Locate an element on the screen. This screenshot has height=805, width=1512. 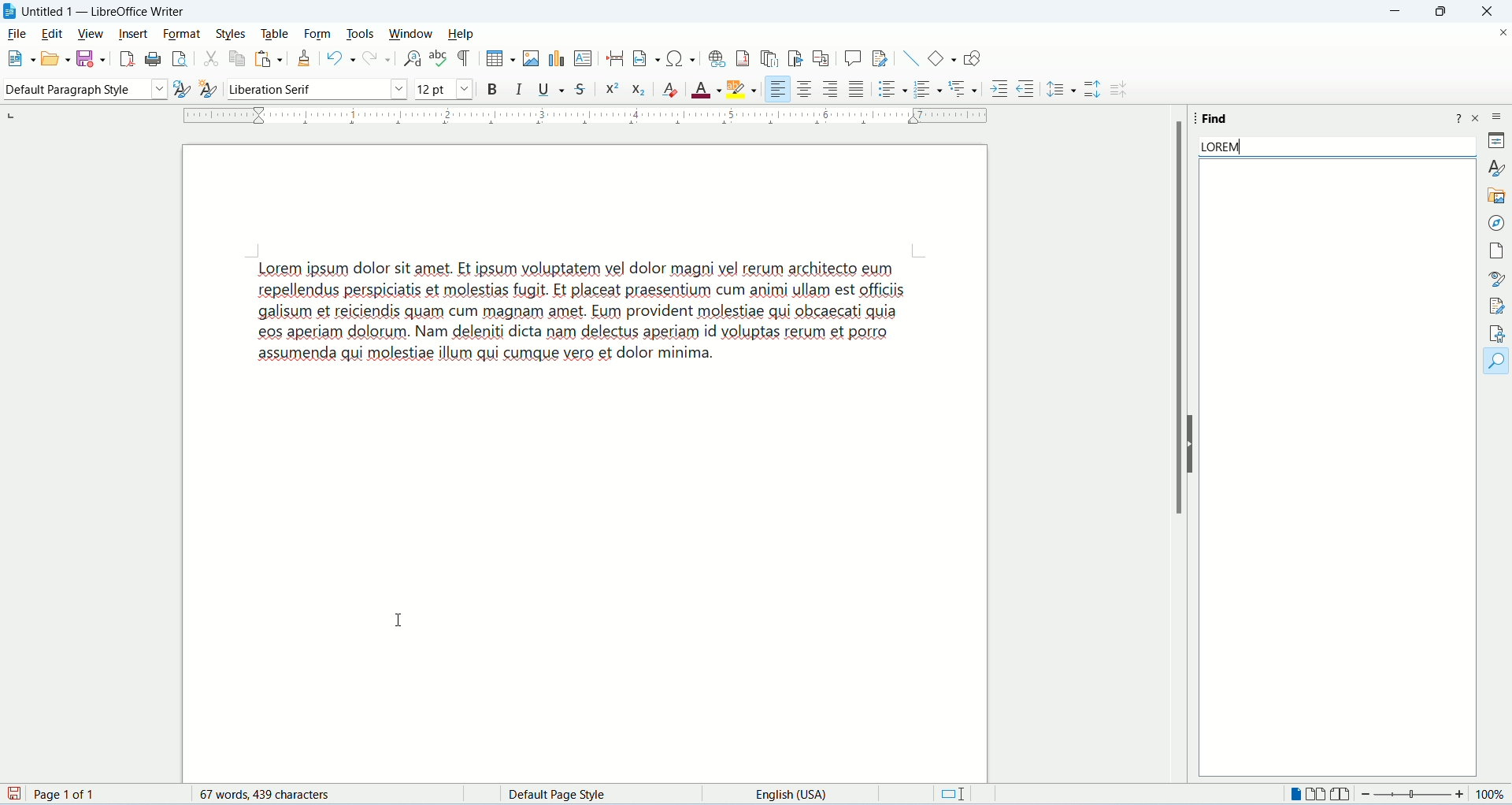
margin is located at coordinates (573, 117).